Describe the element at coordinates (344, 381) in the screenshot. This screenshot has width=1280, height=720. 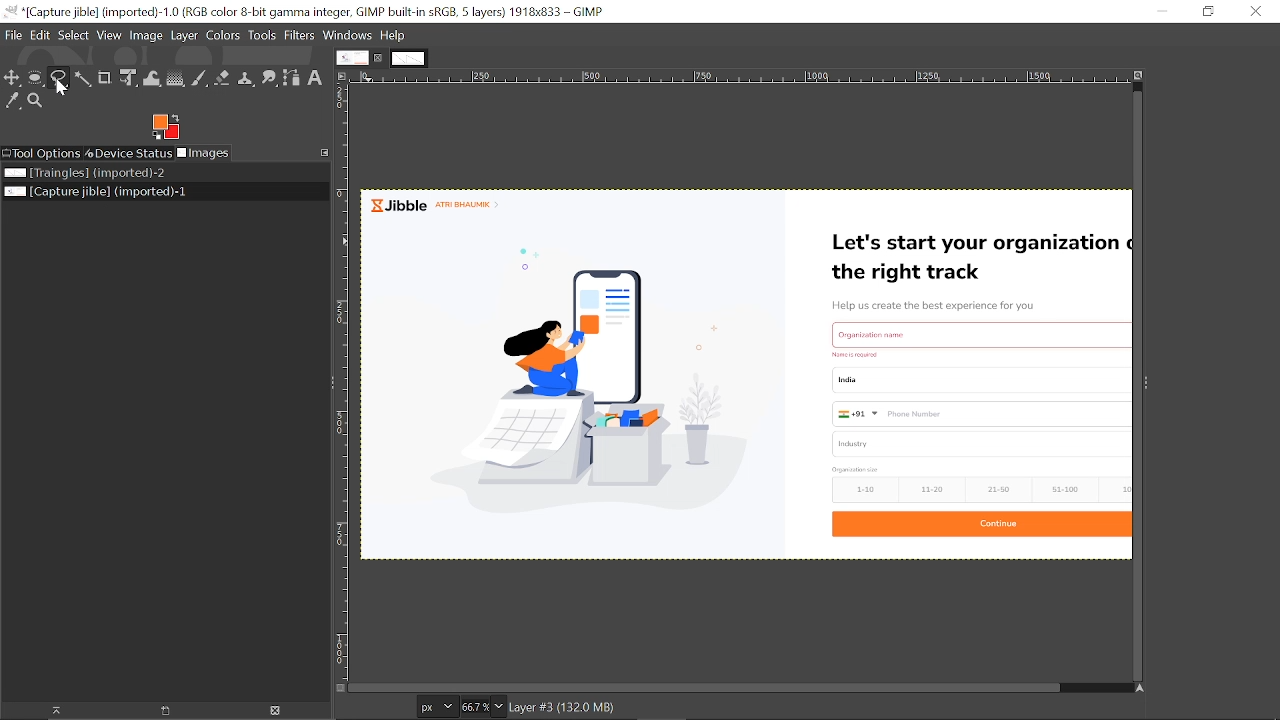
I see `Vertical label` at that location.